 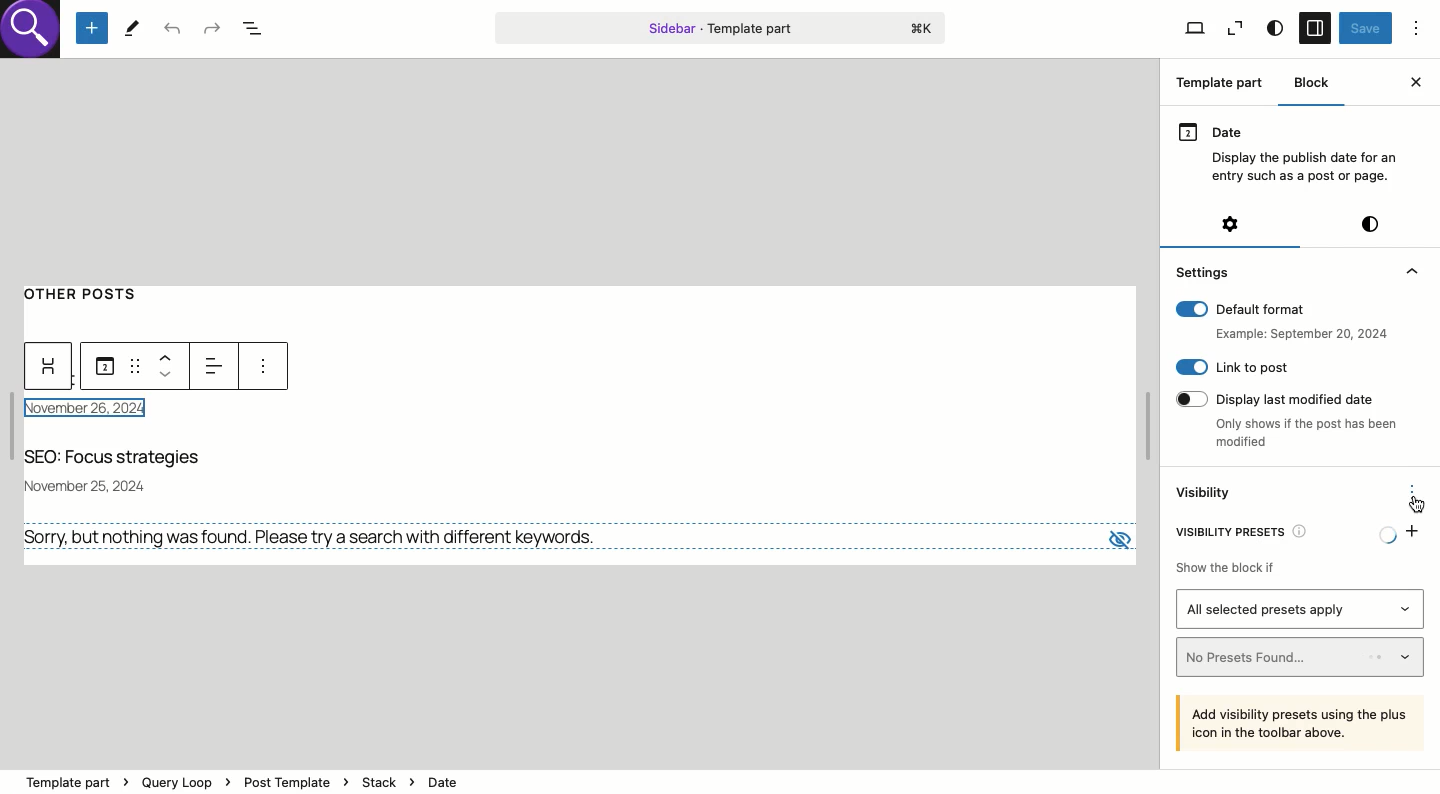 I want to click on more options, so click(x=261, y=368).